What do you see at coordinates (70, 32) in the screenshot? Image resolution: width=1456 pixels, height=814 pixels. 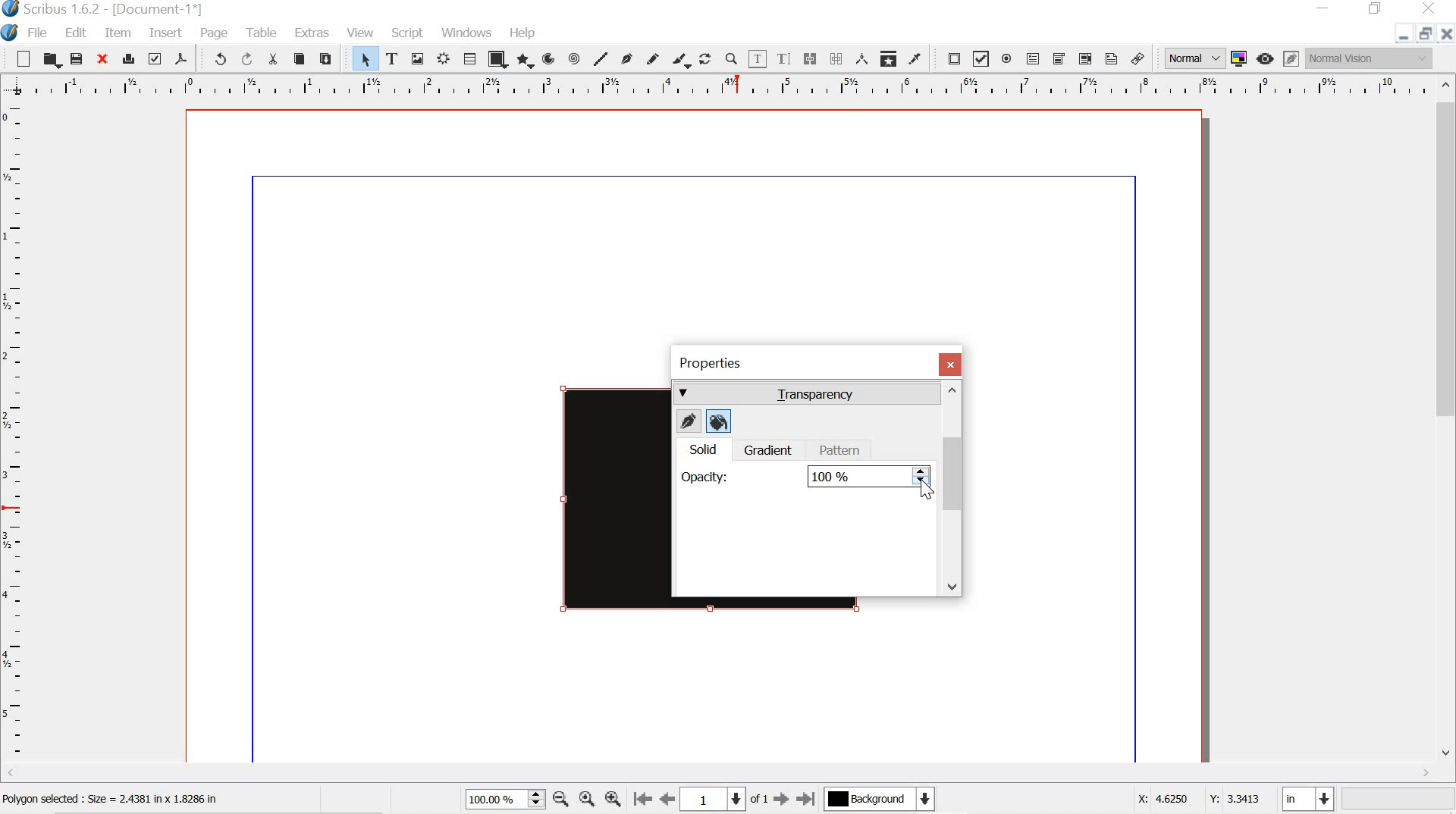 I see `edit` at bounding box center [70, 32].